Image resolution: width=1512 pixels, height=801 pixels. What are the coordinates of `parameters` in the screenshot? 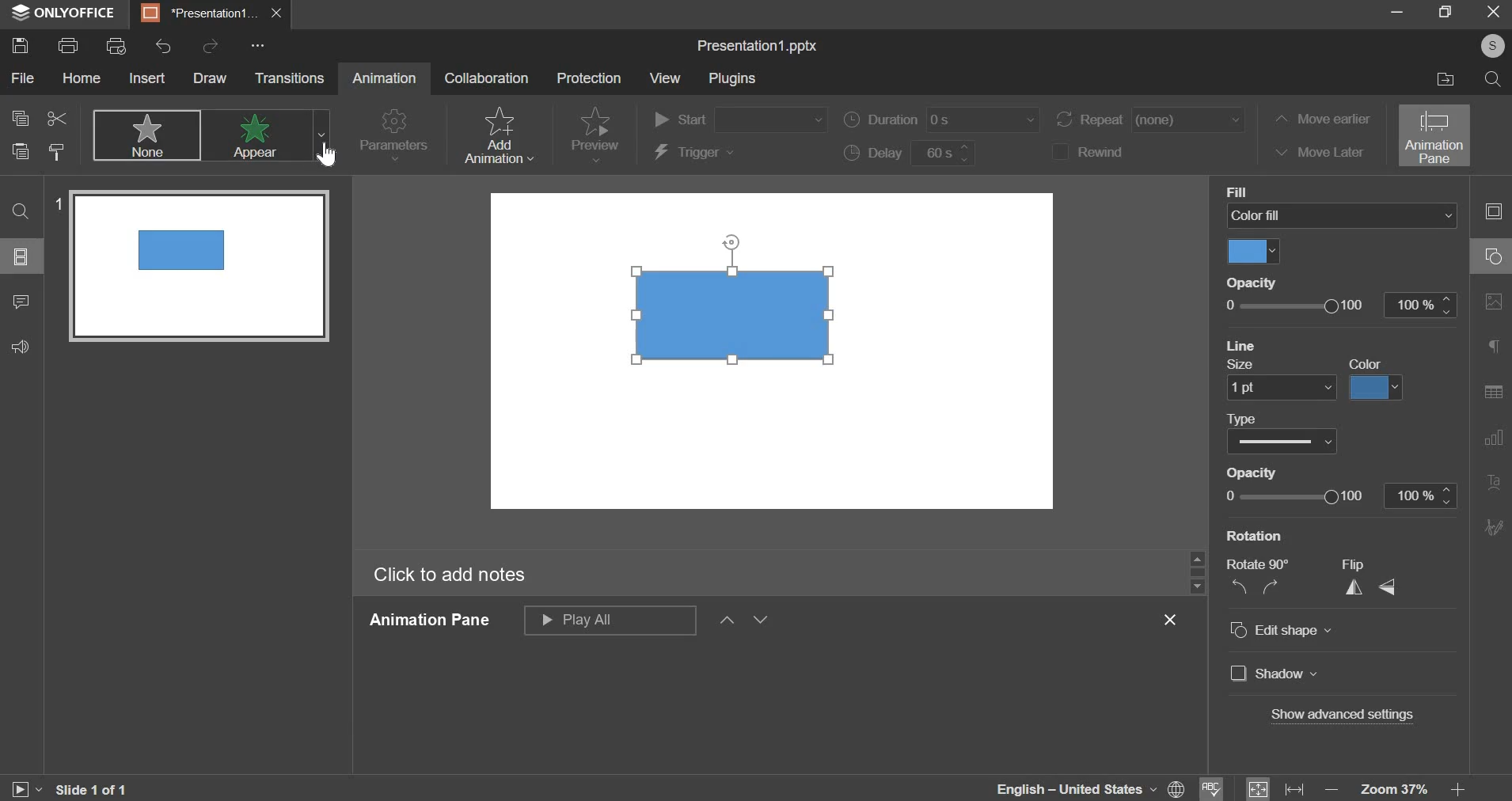 It's located at (396, 133).